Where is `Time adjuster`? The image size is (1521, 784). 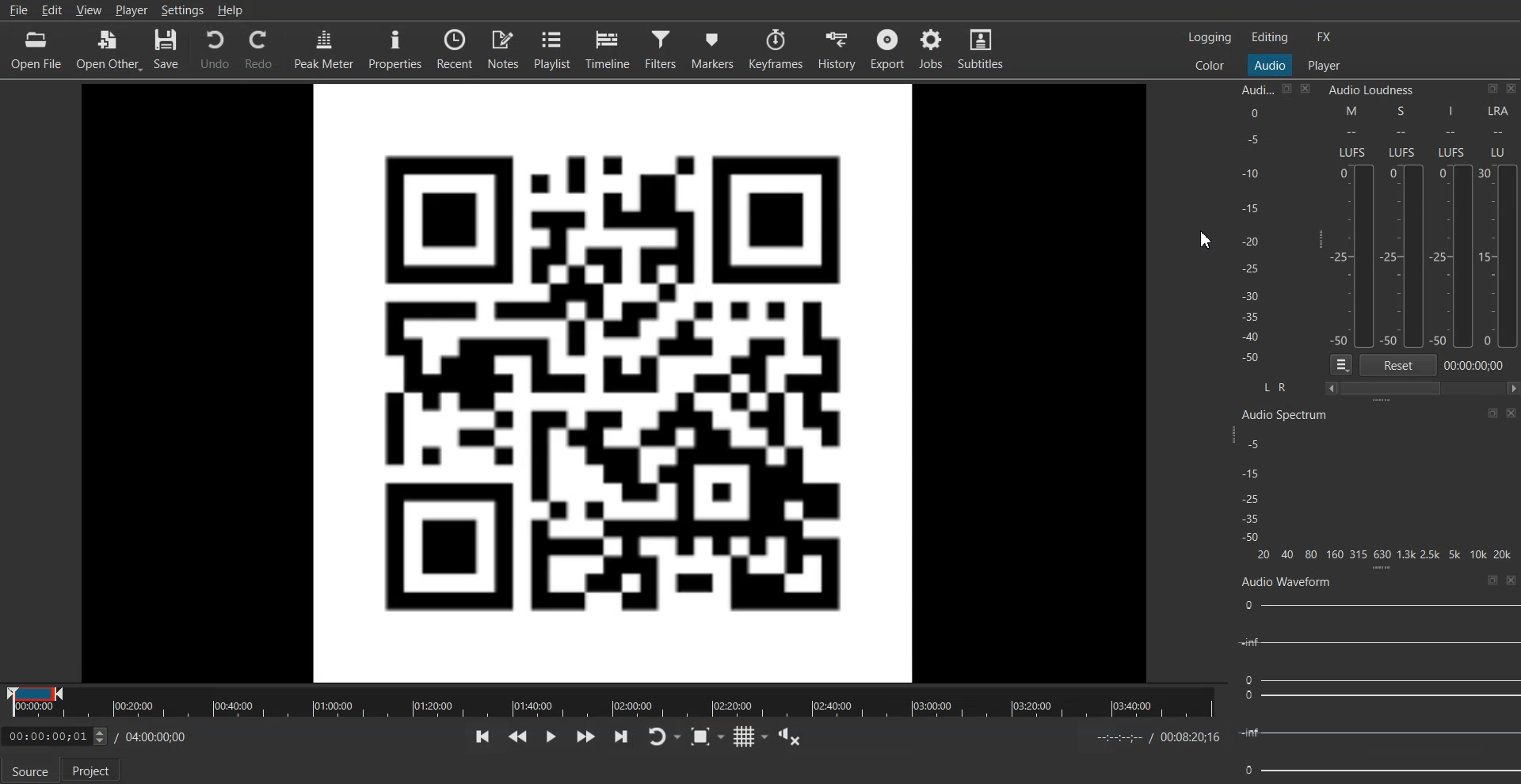 Time adjuster is located at coordinates (100, 736).